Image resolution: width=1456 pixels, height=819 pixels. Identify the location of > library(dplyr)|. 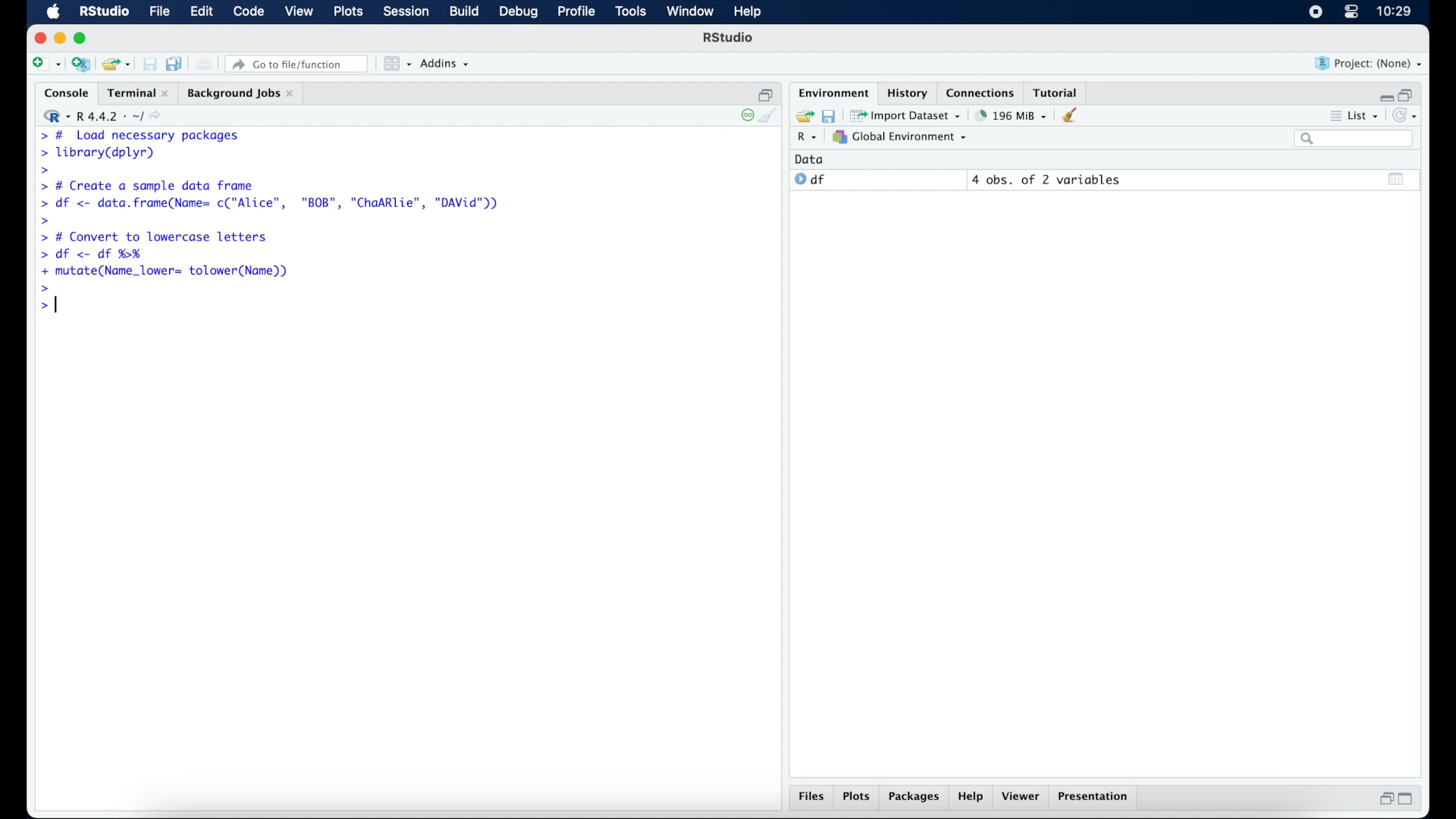
(101, 153).